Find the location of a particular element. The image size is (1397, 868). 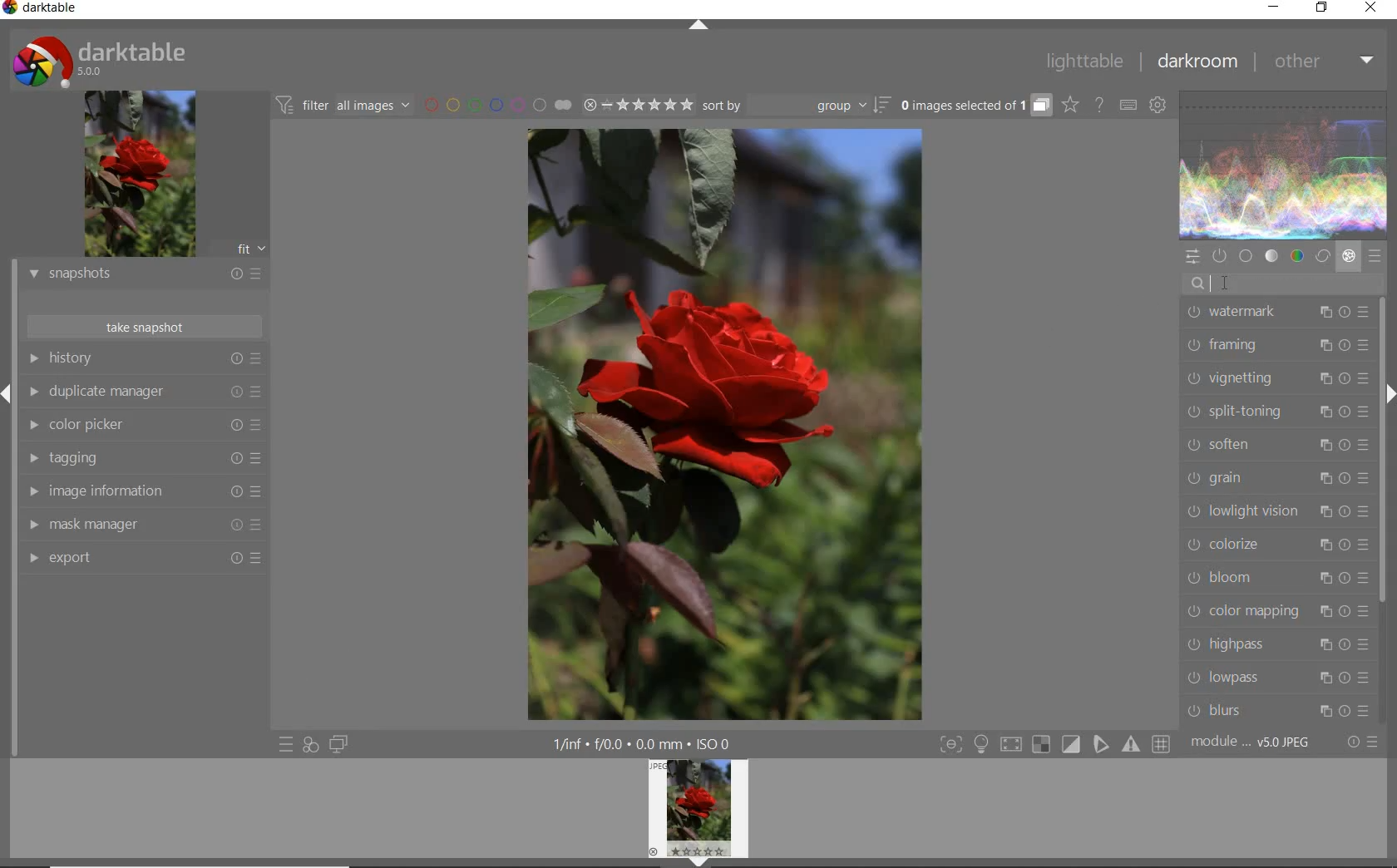

color picker is located at coordinates (144, 427).